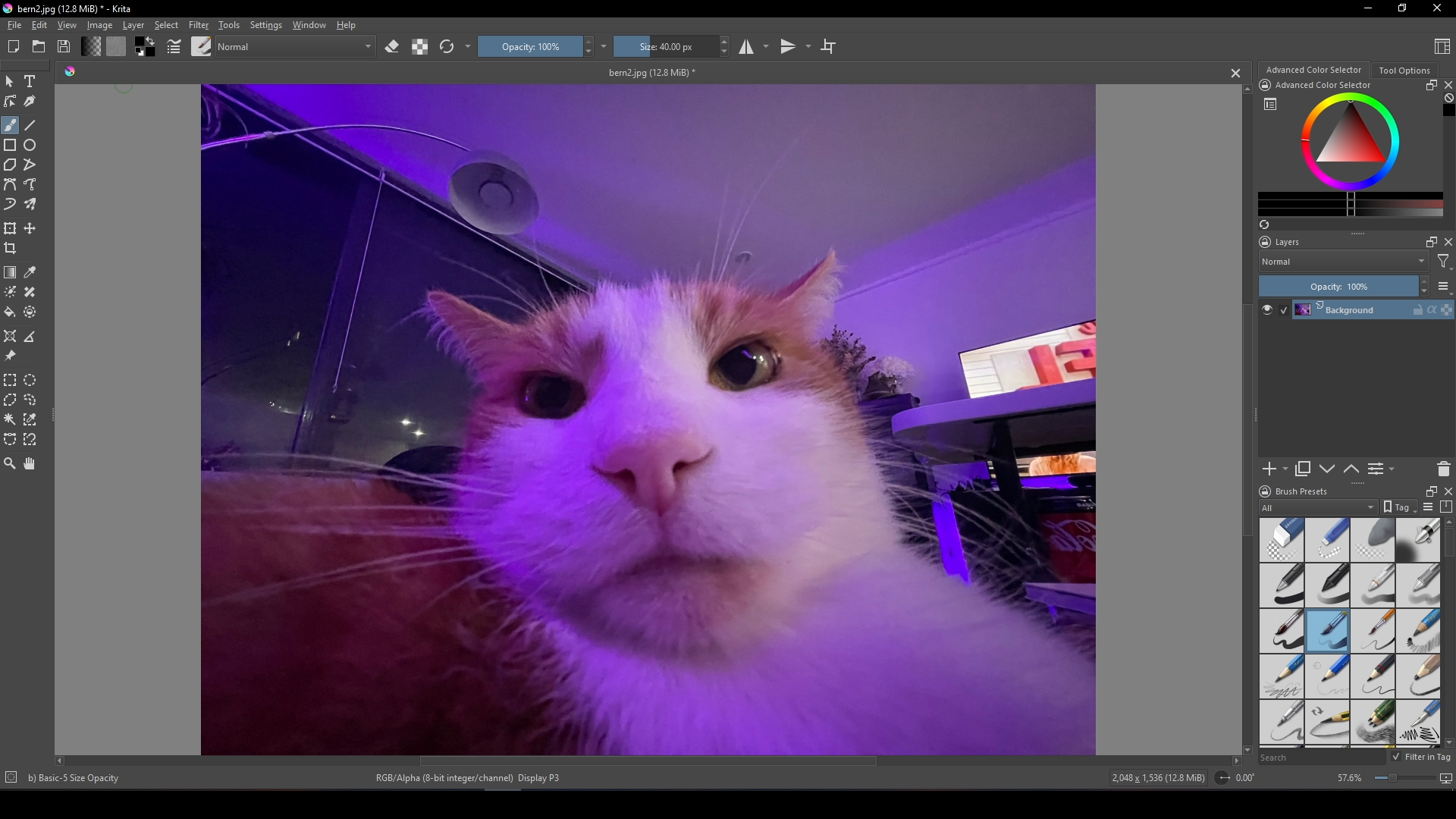 Image resolution: width=1456 pixels, height=819 pixels. What do you see at coordinates (10, 439) in the screenshot?
I see `Bezier curve selection tool` at bounding box center [10, 439].